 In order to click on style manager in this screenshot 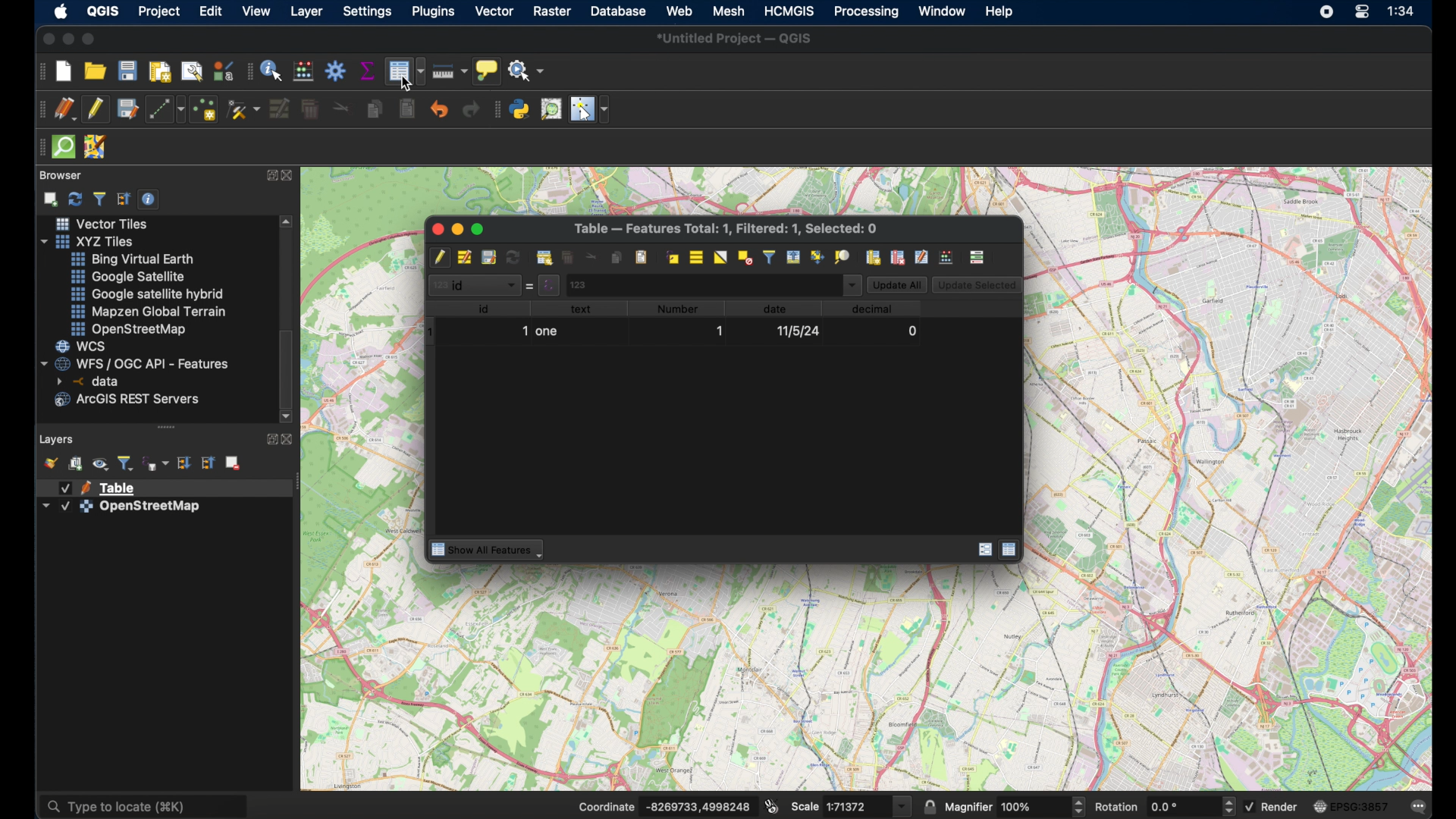, I will do `click(221, 69)`.